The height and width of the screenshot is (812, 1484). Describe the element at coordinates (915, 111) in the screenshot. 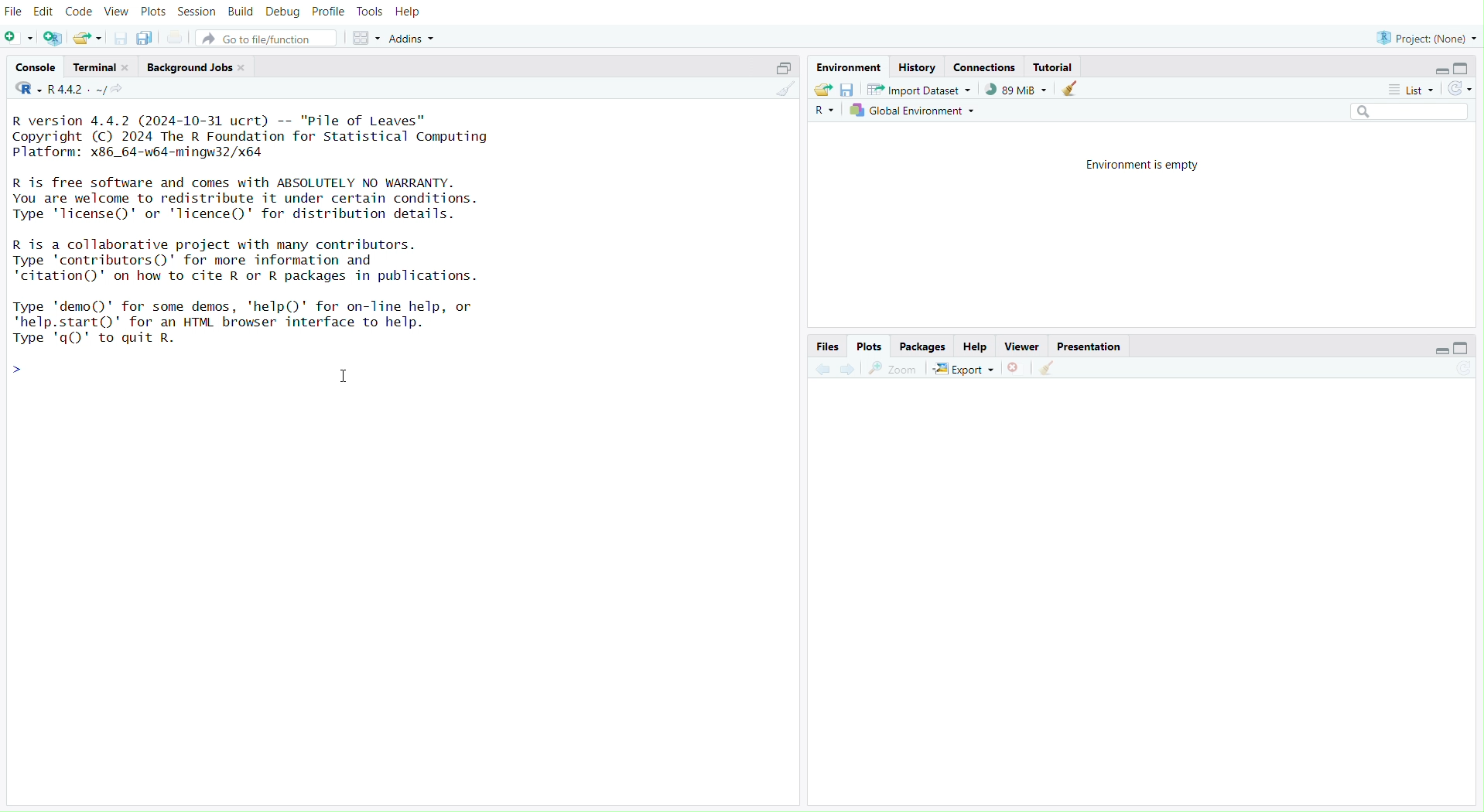

I see `Global Environment` at that location.